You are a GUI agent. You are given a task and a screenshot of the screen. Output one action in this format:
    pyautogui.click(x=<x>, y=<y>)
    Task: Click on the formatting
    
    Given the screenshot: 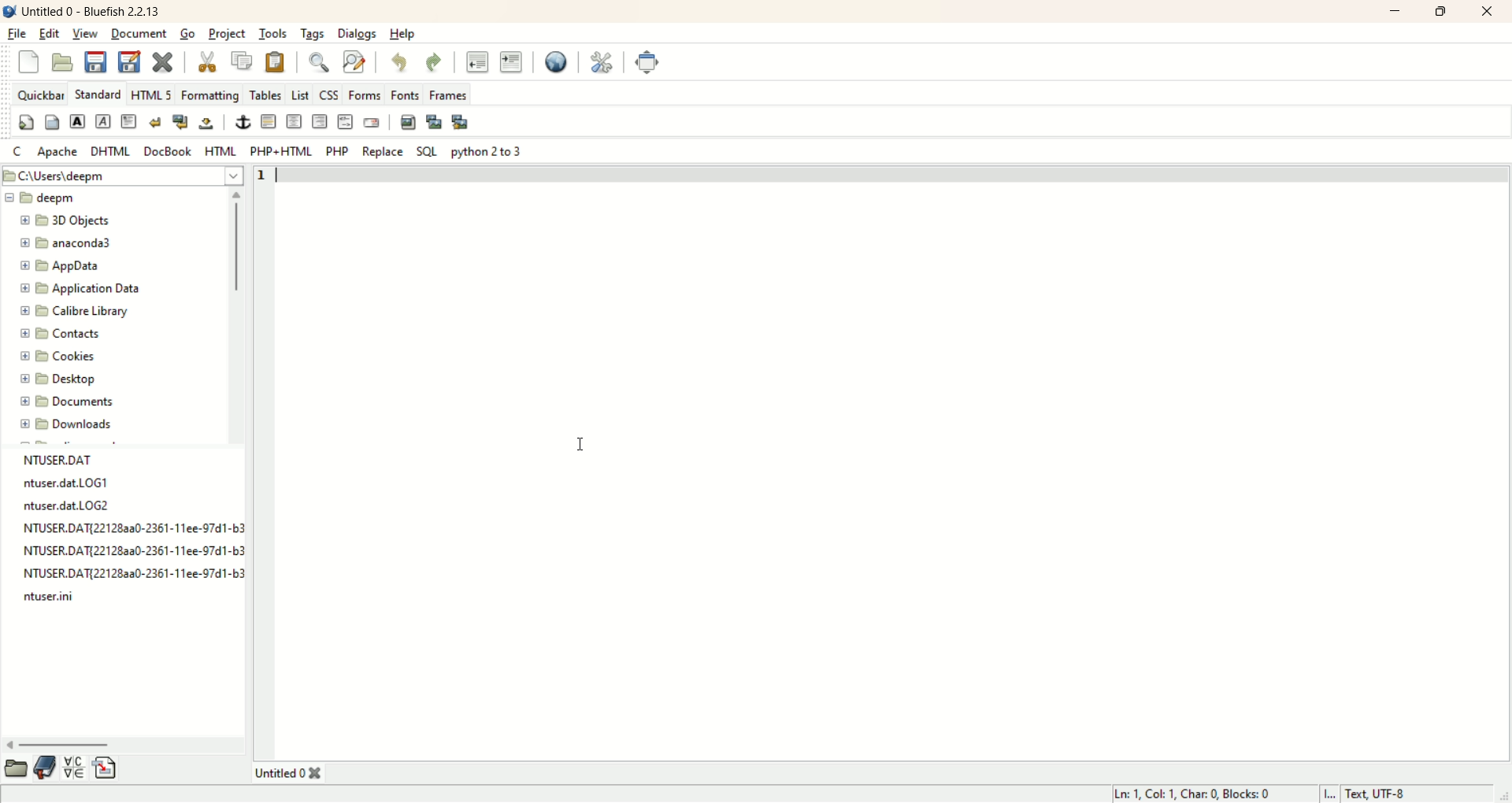 What is the action you would take?
    pyautogui.click(x=211, y=94)
    